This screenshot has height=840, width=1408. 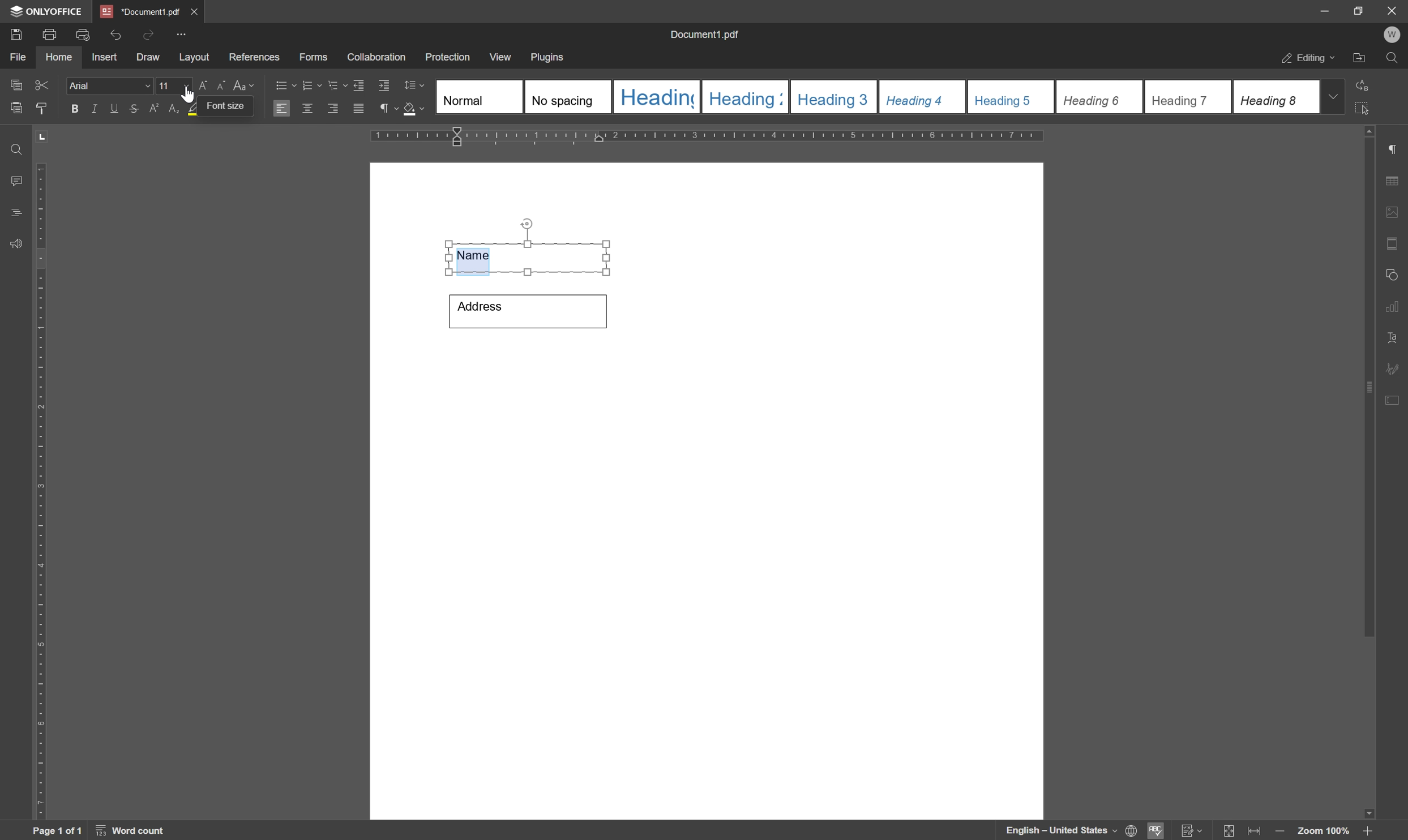 I want to click on undo, so click(x=115, y=32).